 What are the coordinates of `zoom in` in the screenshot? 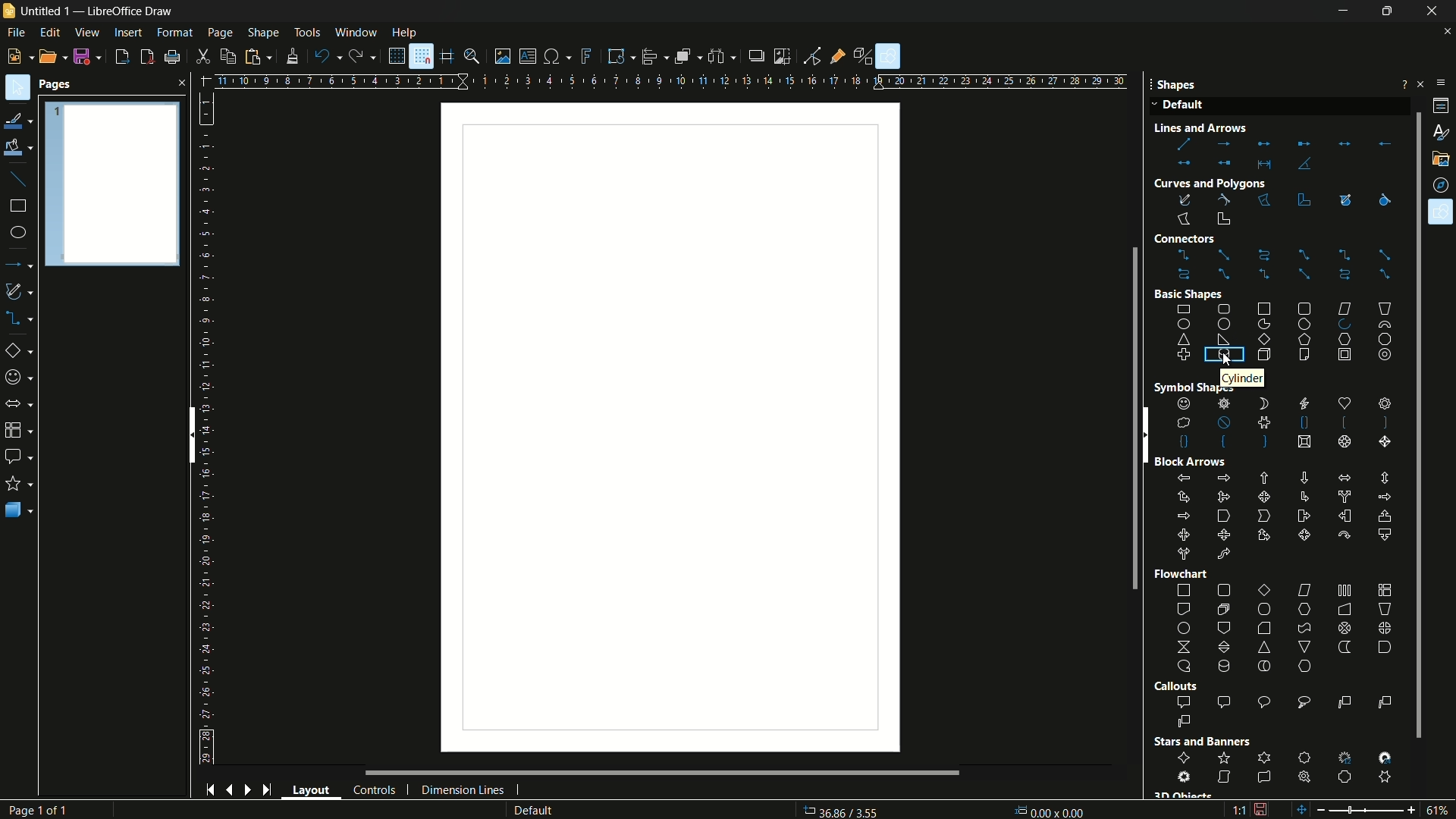 It's located at (1413, 808).